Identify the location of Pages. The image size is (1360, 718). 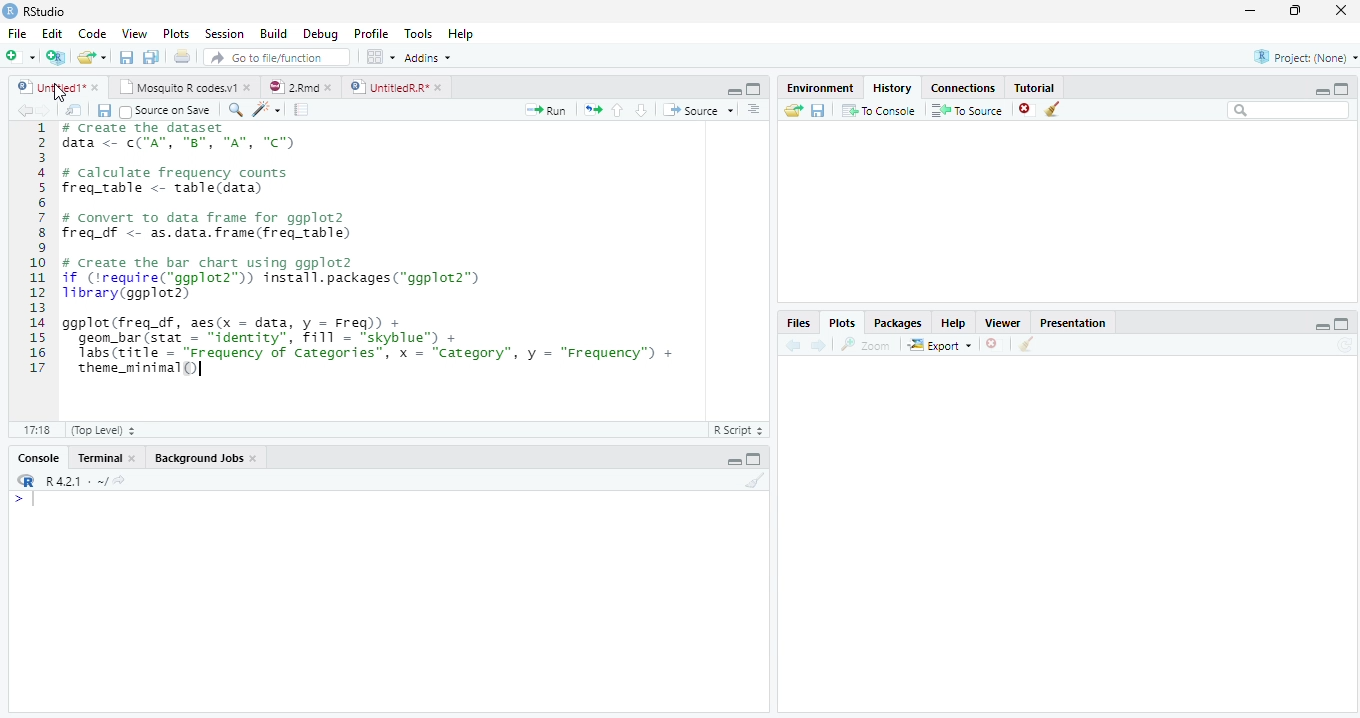
(301, 110).